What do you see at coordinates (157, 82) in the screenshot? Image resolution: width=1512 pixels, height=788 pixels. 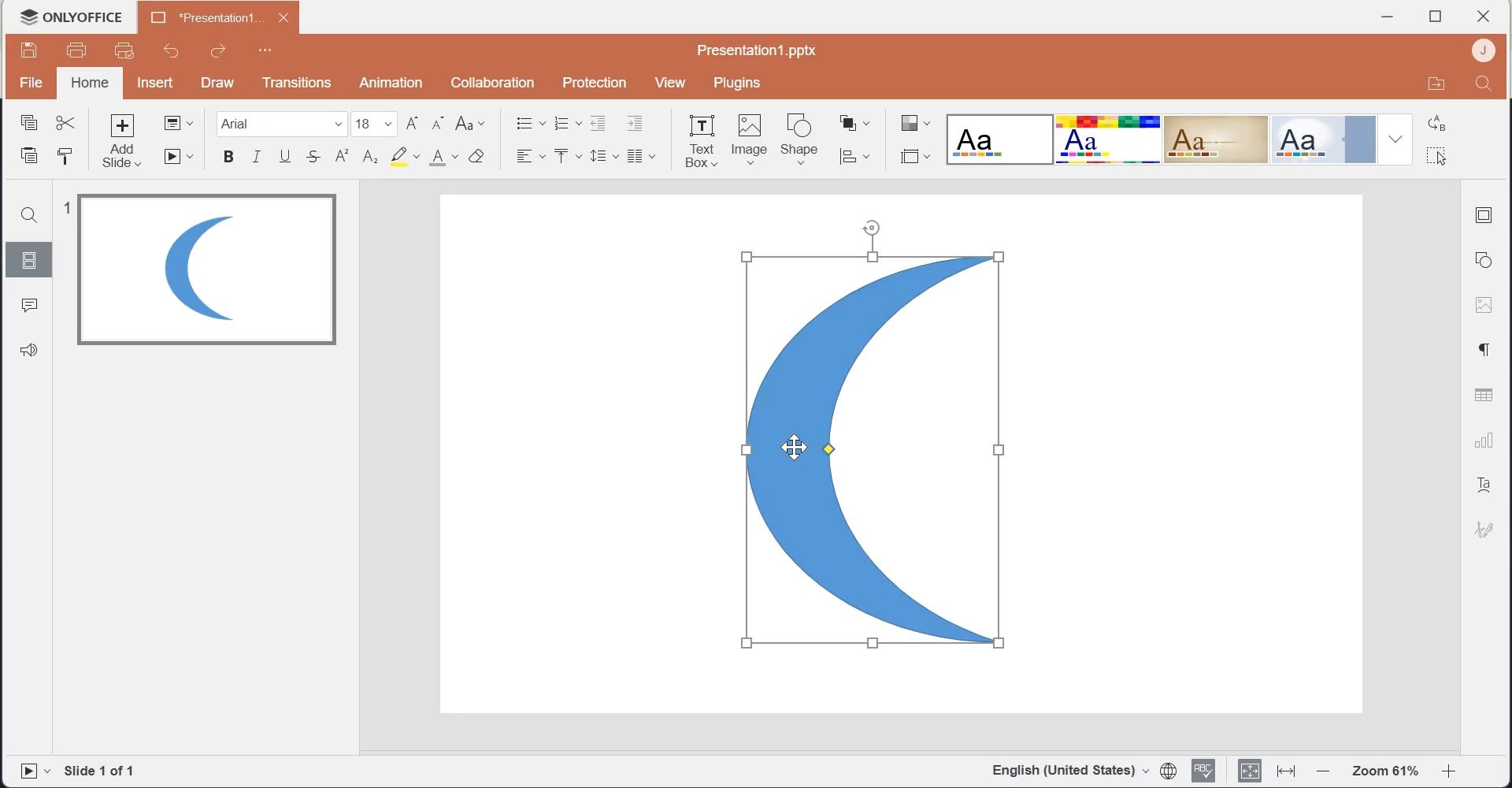 I see `Insert` at bounding box center [157, 82].